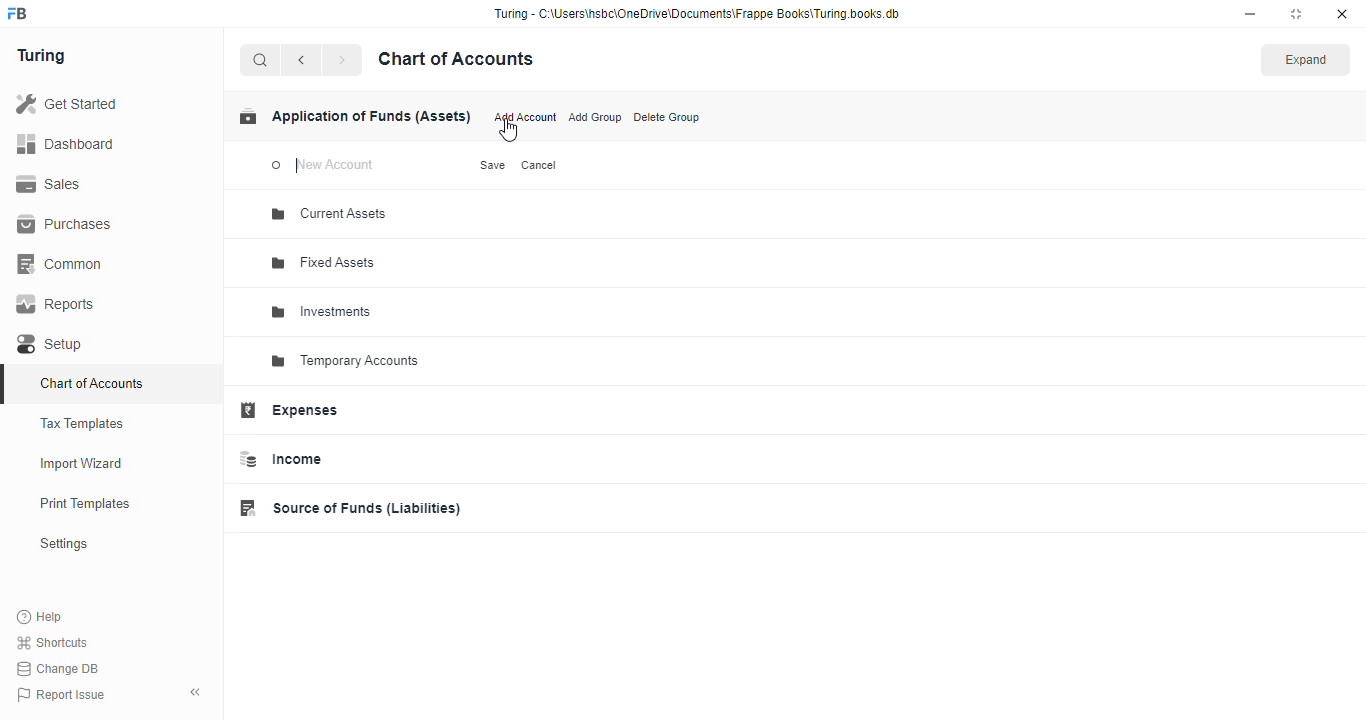  What do you see at coordinates (279, 459) in the screenshot?
I see `income` at bounding box center [279, 459].